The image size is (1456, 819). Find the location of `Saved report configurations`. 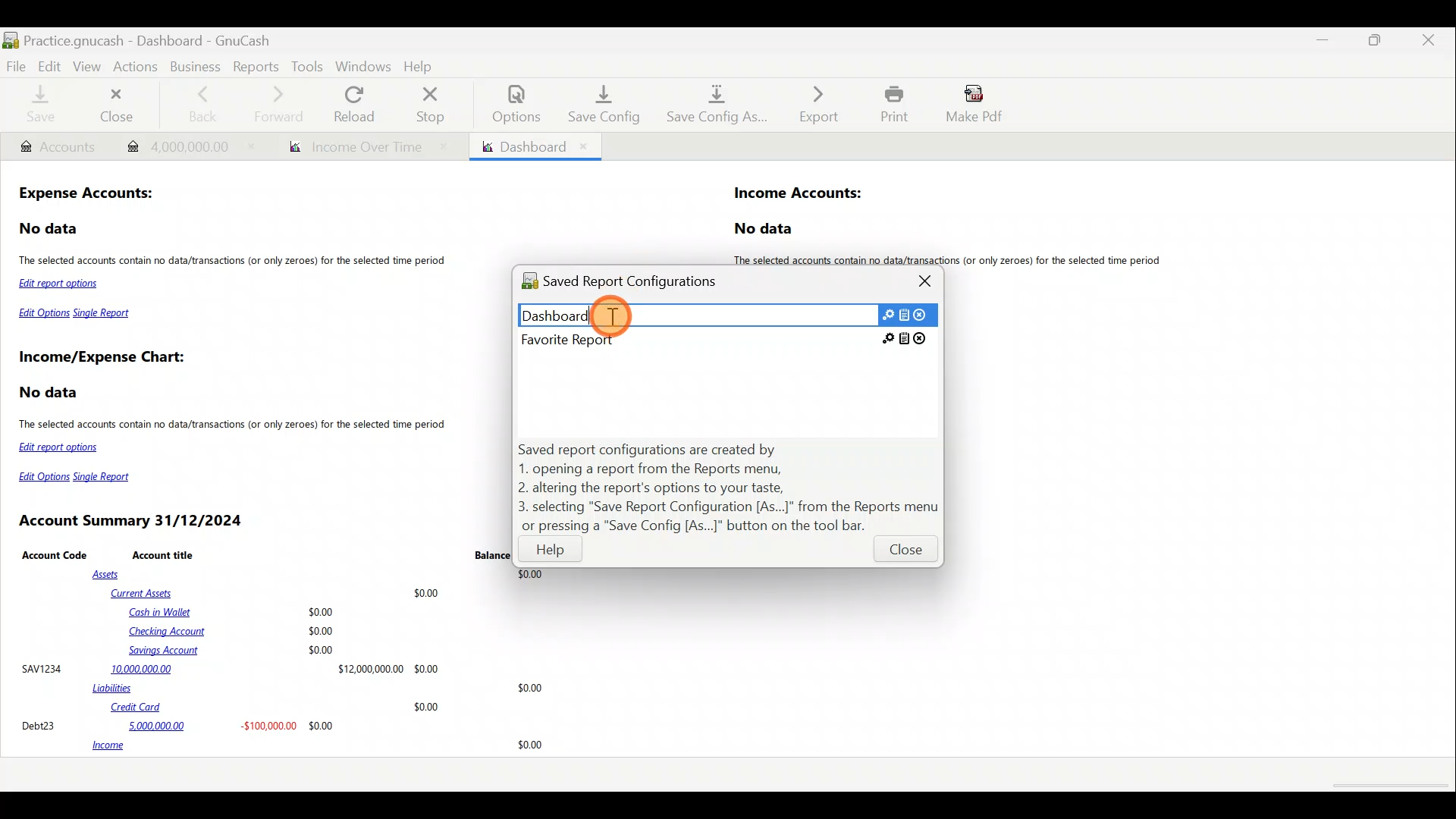

Saved report configurations is located at coordinates (635, 284).